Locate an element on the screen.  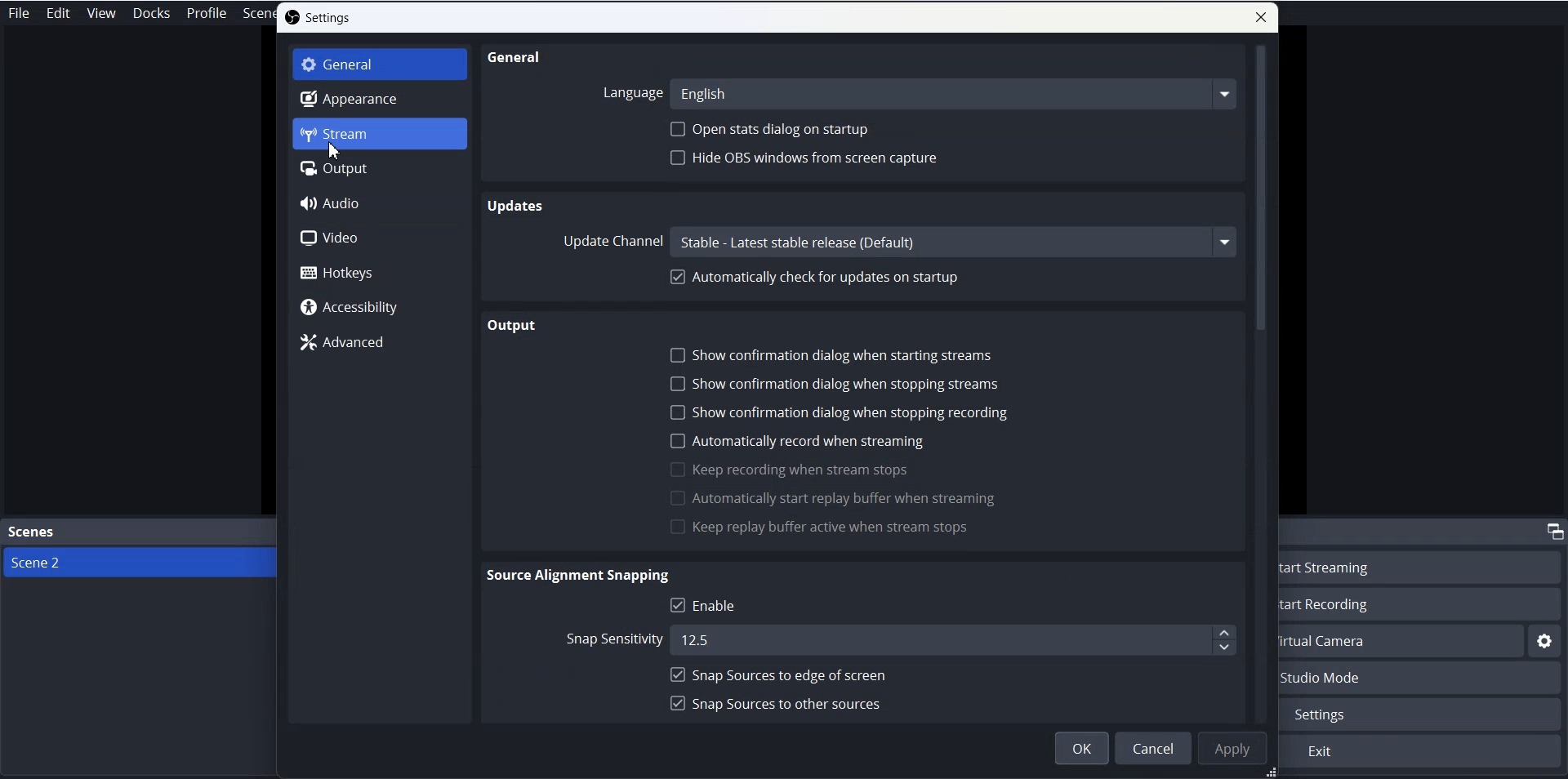
Scenes is located at coordinates (139, 533).